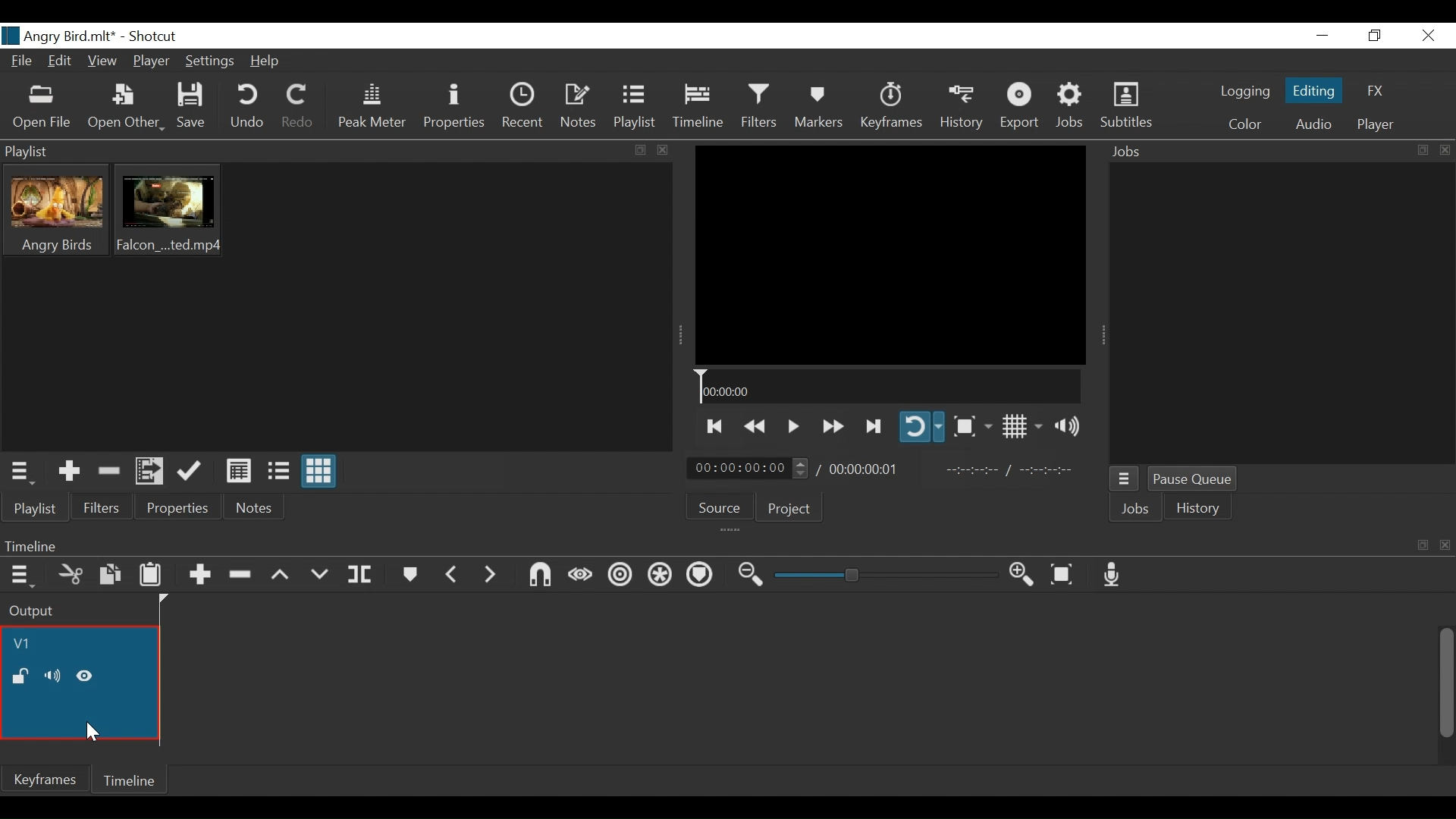  I want to click on Cut, so click(71, 575).